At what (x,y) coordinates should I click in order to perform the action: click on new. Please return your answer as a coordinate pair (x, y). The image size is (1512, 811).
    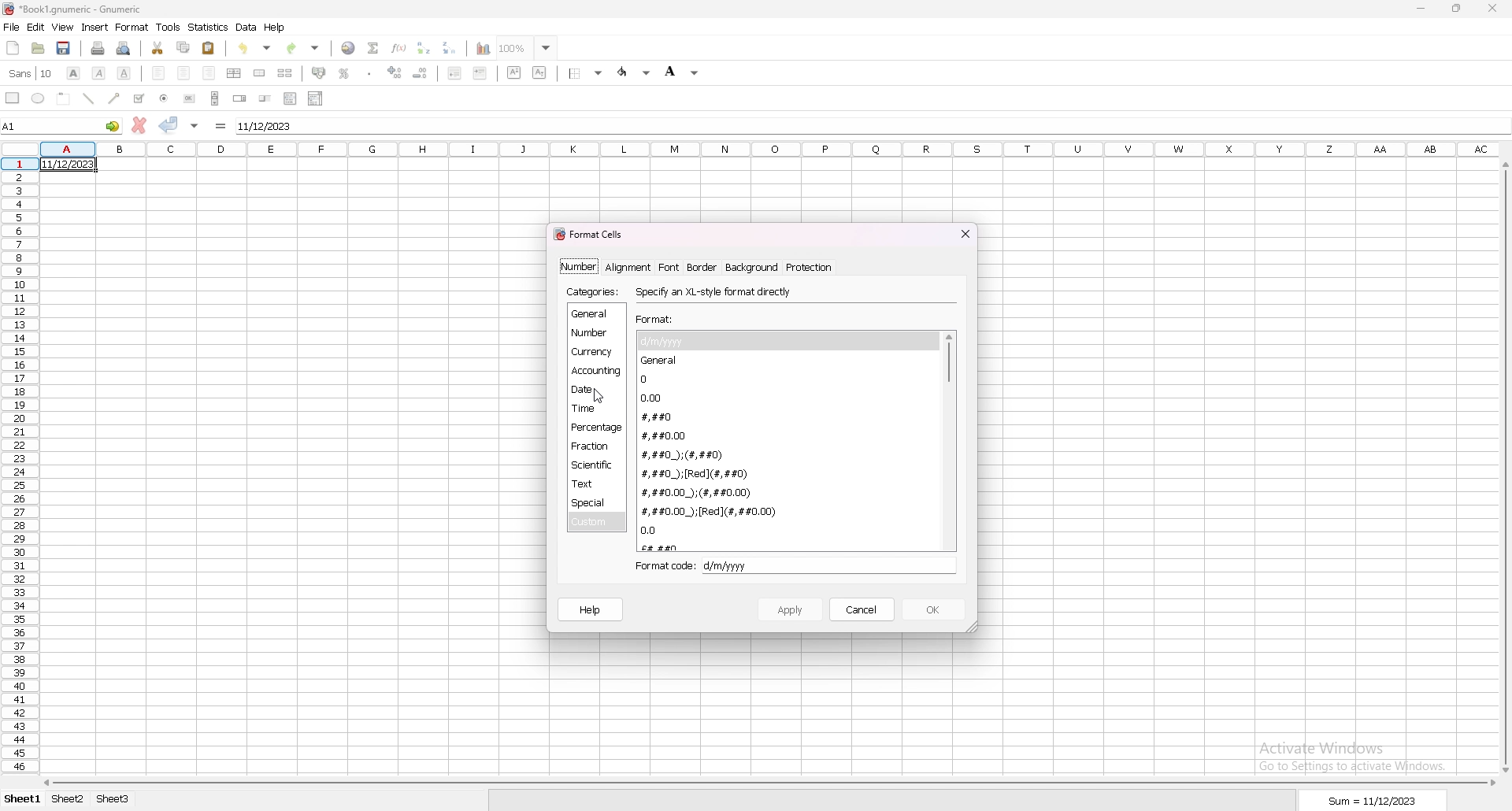
    Looking at the image, I should click on (13, 48).